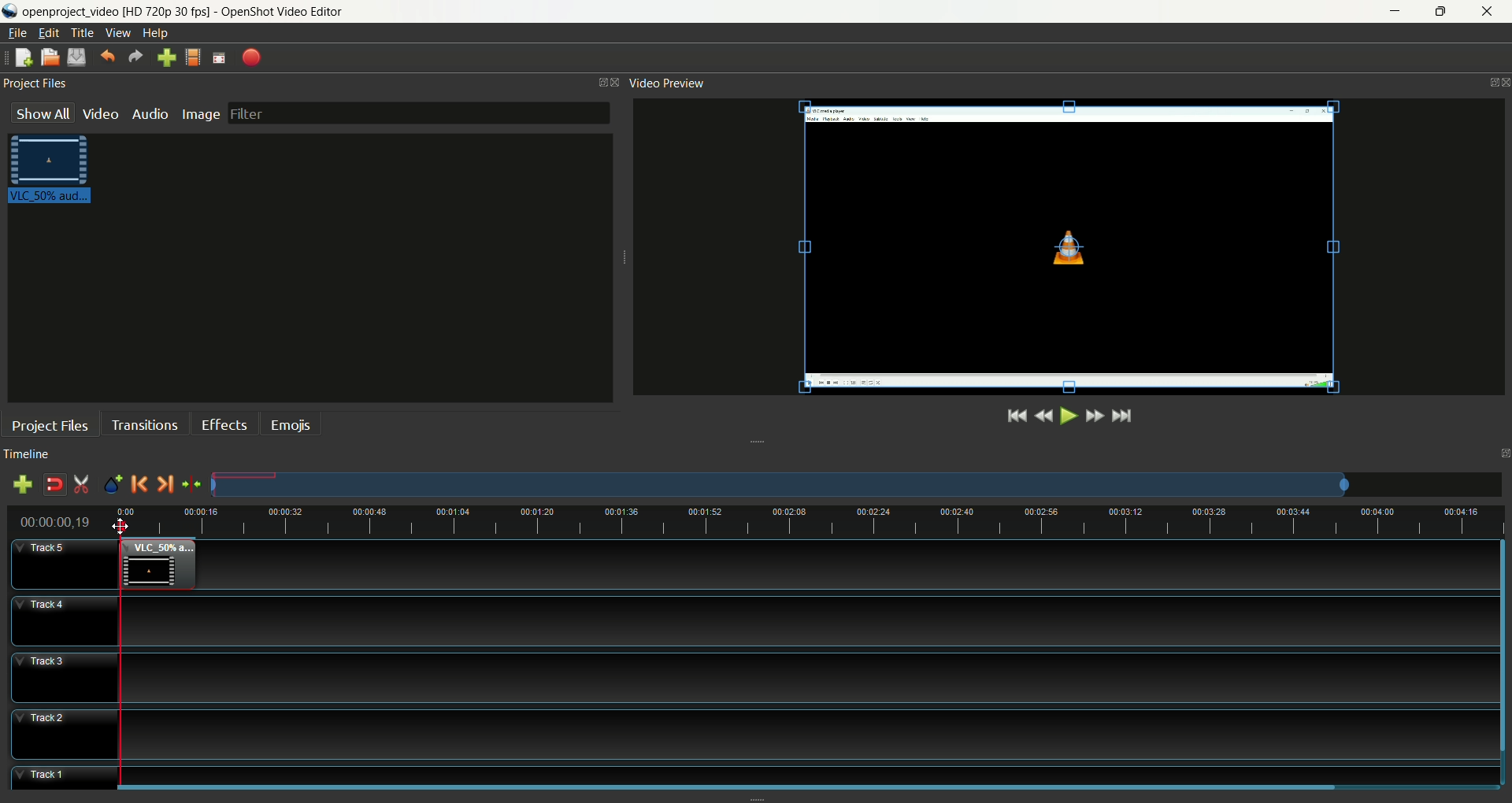 The image size is (1512, 803). What do you see at coordinates (144, 424) in the screenshot?
I see `transition` at bounding box center [144, 424].